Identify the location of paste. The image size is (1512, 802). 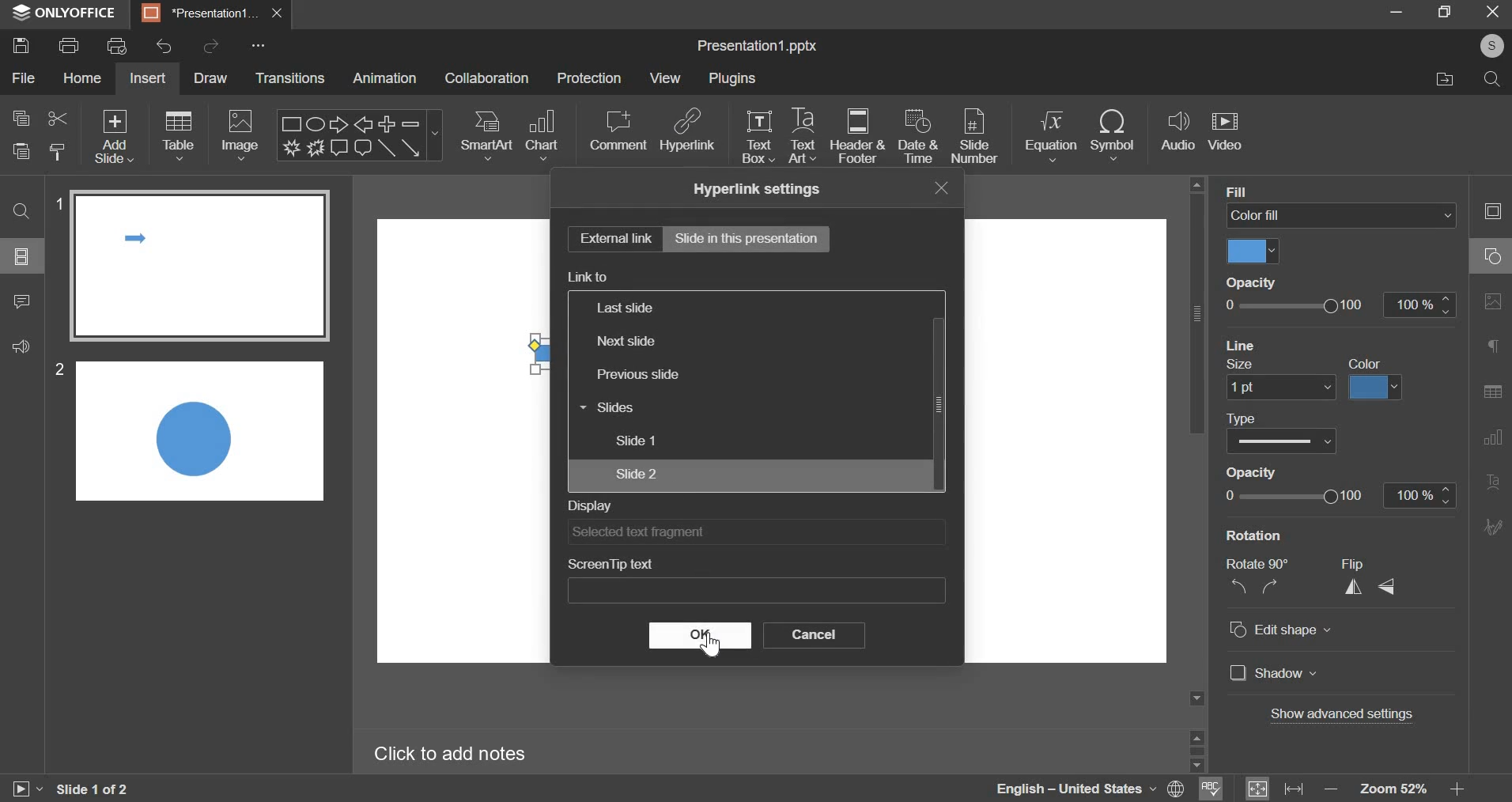
(22, 150).